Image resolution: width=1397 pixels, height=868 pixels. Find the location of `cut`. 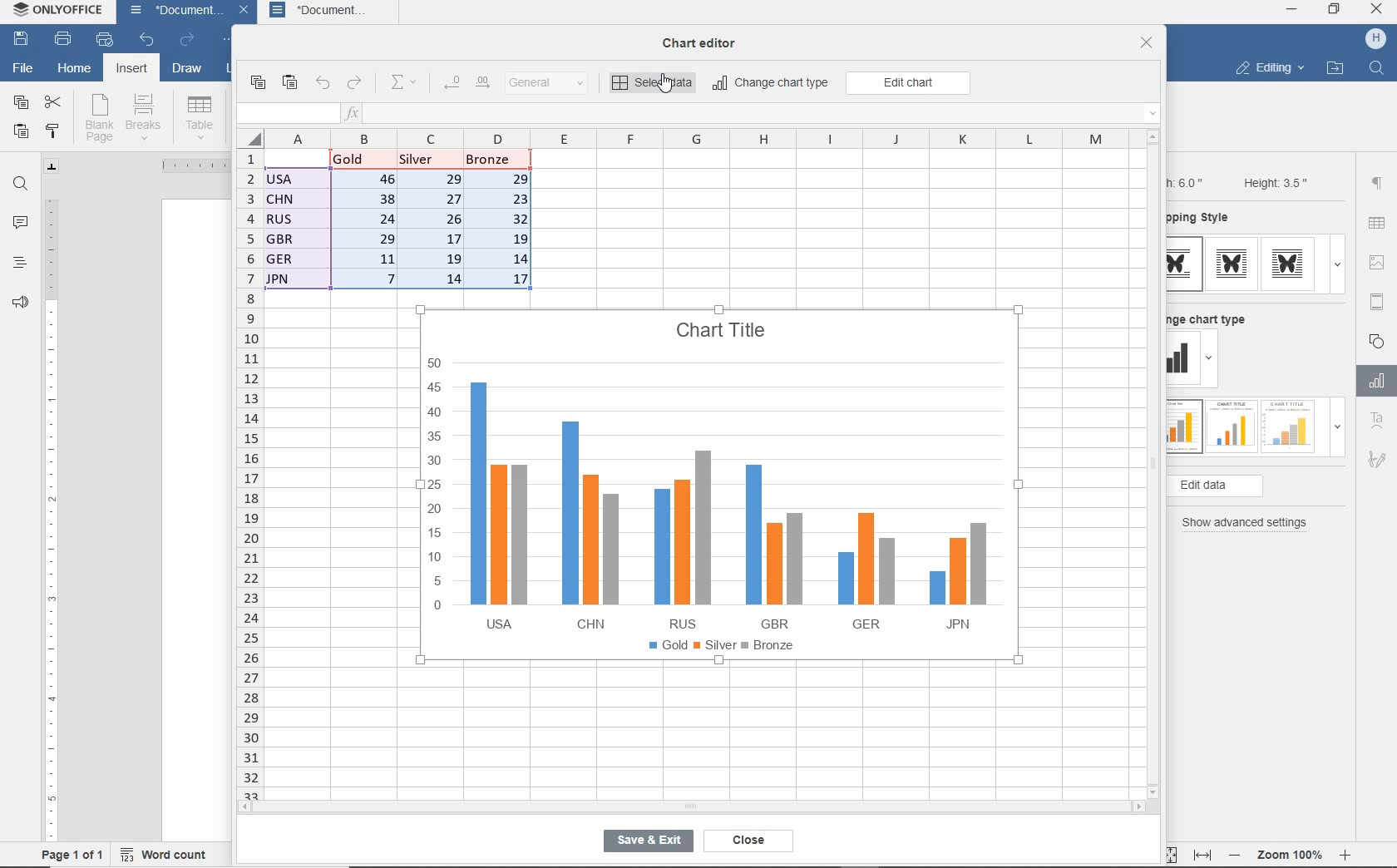

cut is located at coordinates (54, 101).